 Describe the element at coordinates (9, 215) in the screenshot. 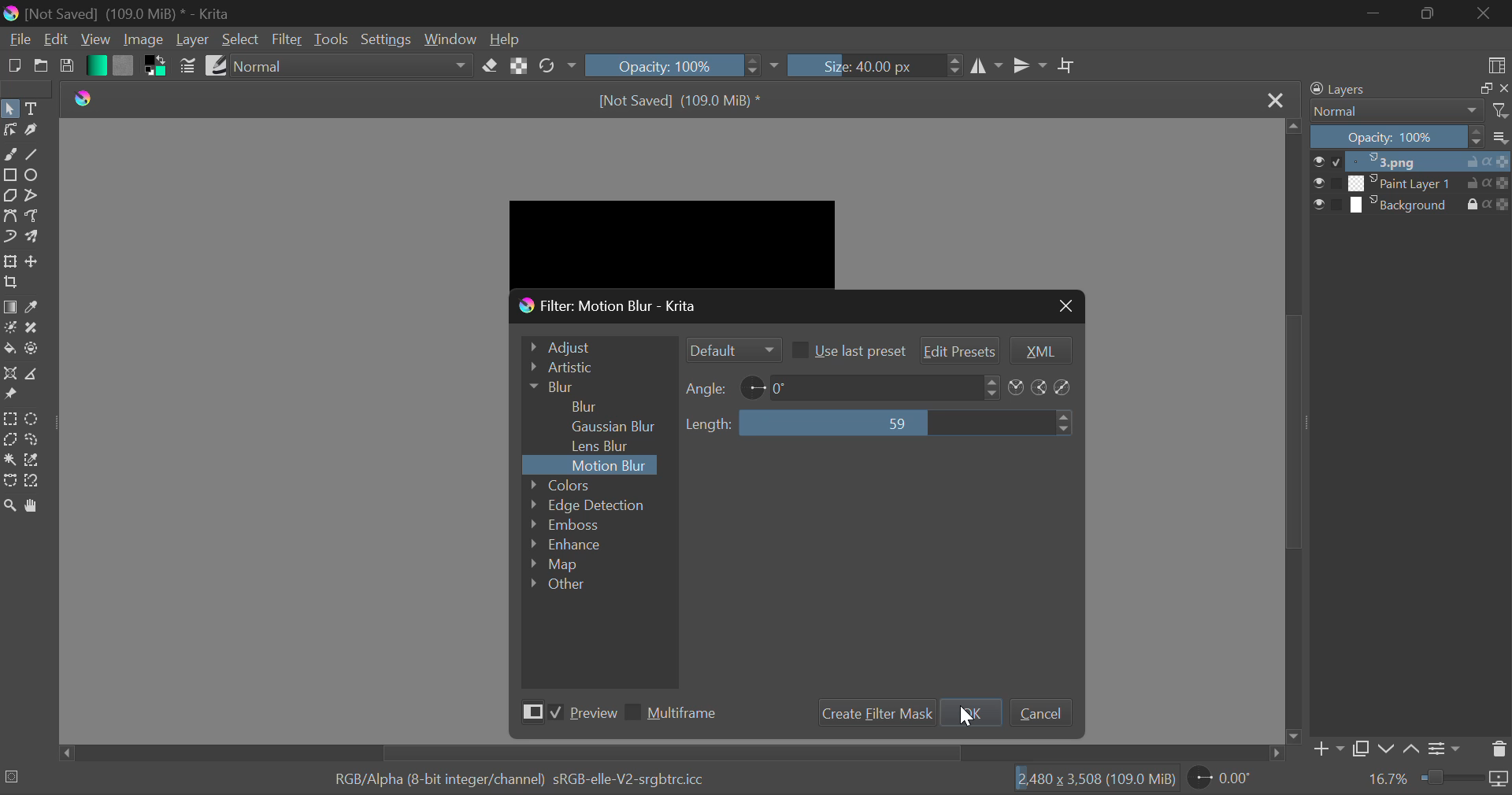

I see `Bezier Curve` at that location.